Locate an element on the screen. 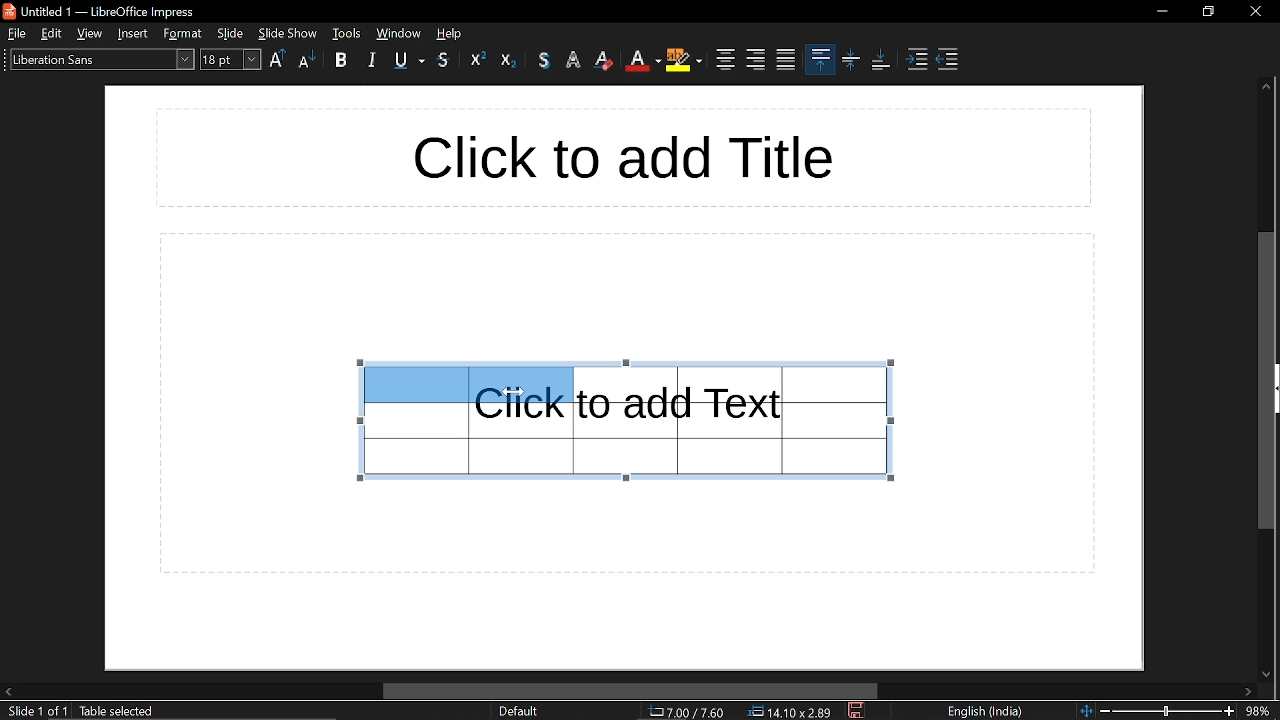 The height and width of the screenshot is (720, 1280). cursor is located at coordinates (512, 392).